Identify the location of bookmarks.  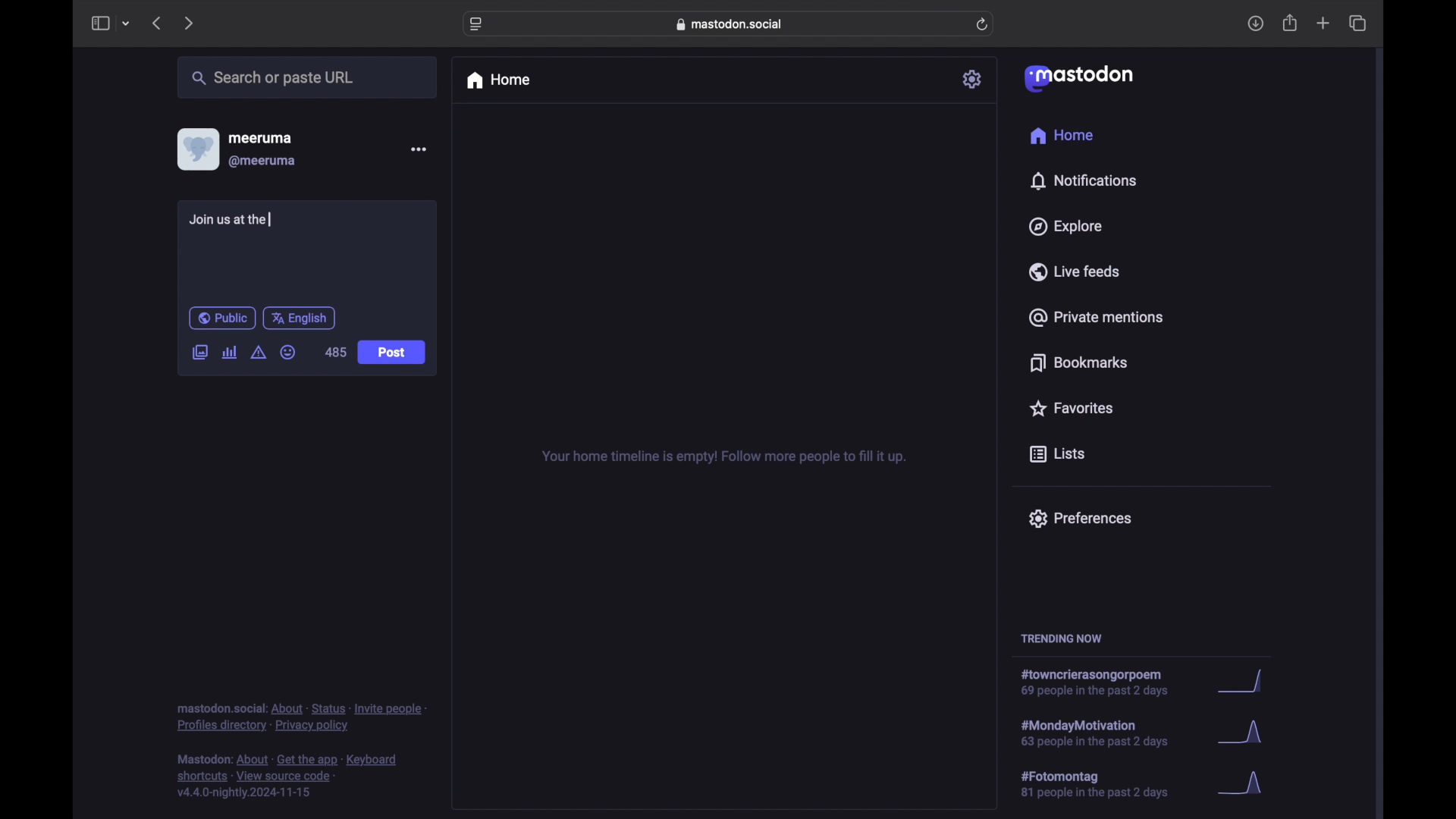
(1078, 362).